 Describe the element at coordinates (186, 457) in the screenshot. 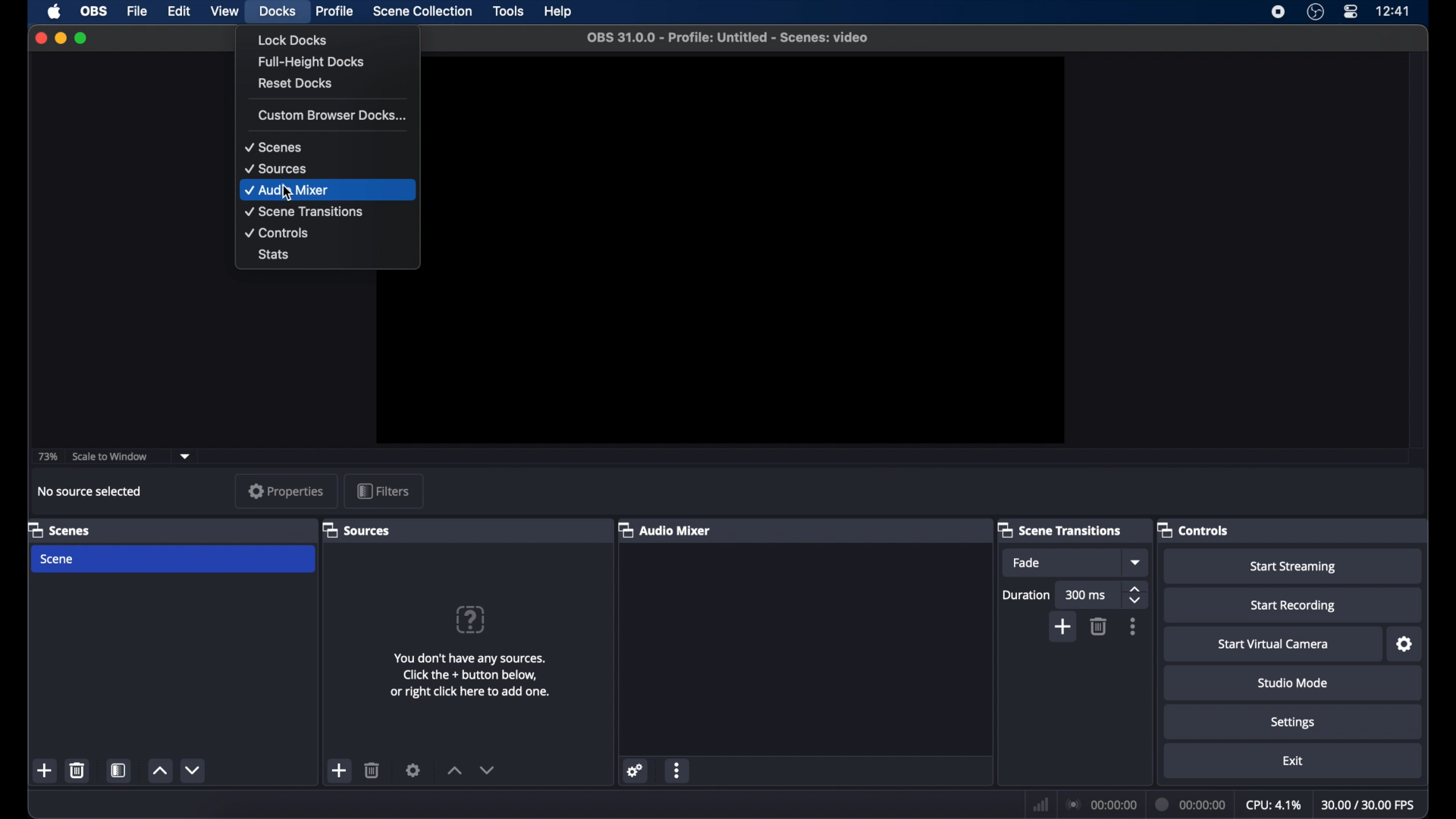

I see `dropdown` at that location.